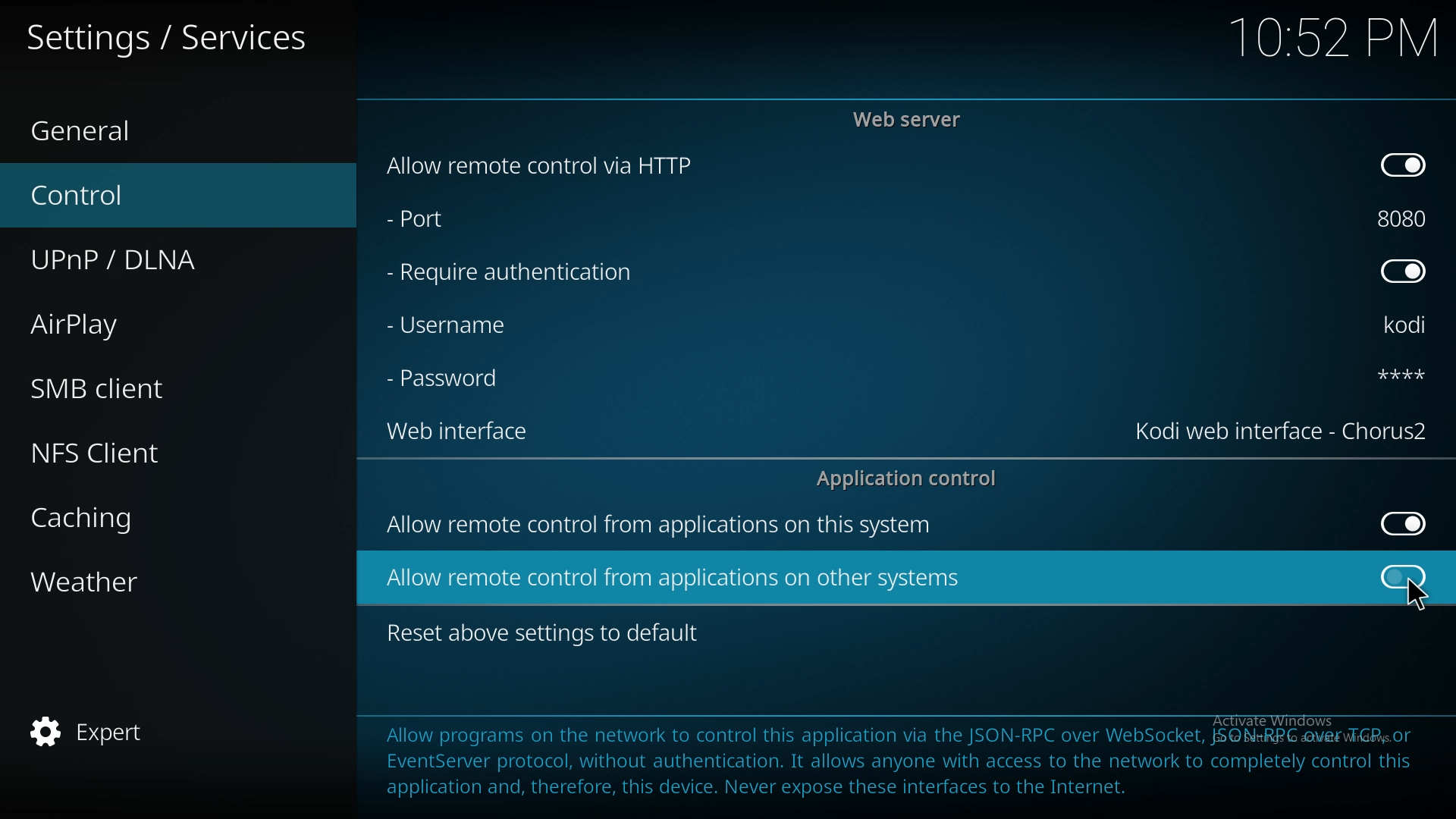 This screenshot has height=819, width=1456. What do you see at coordinates (462, 324) in the screenshot?
I see `username` at bounding box center [462, 324].